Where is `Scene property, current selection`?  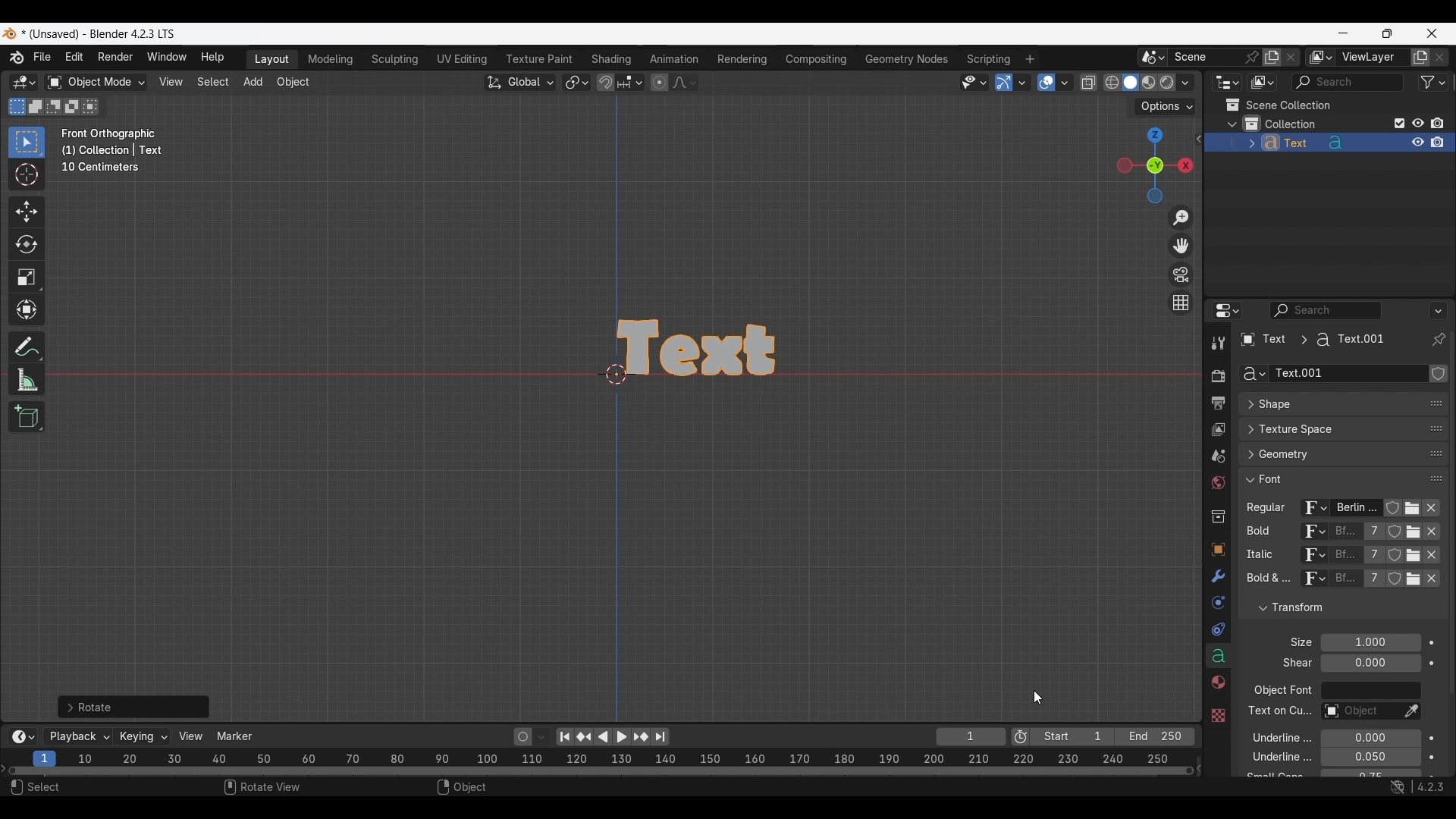 Scene property, current selection is located at coordinates (1218, 457).